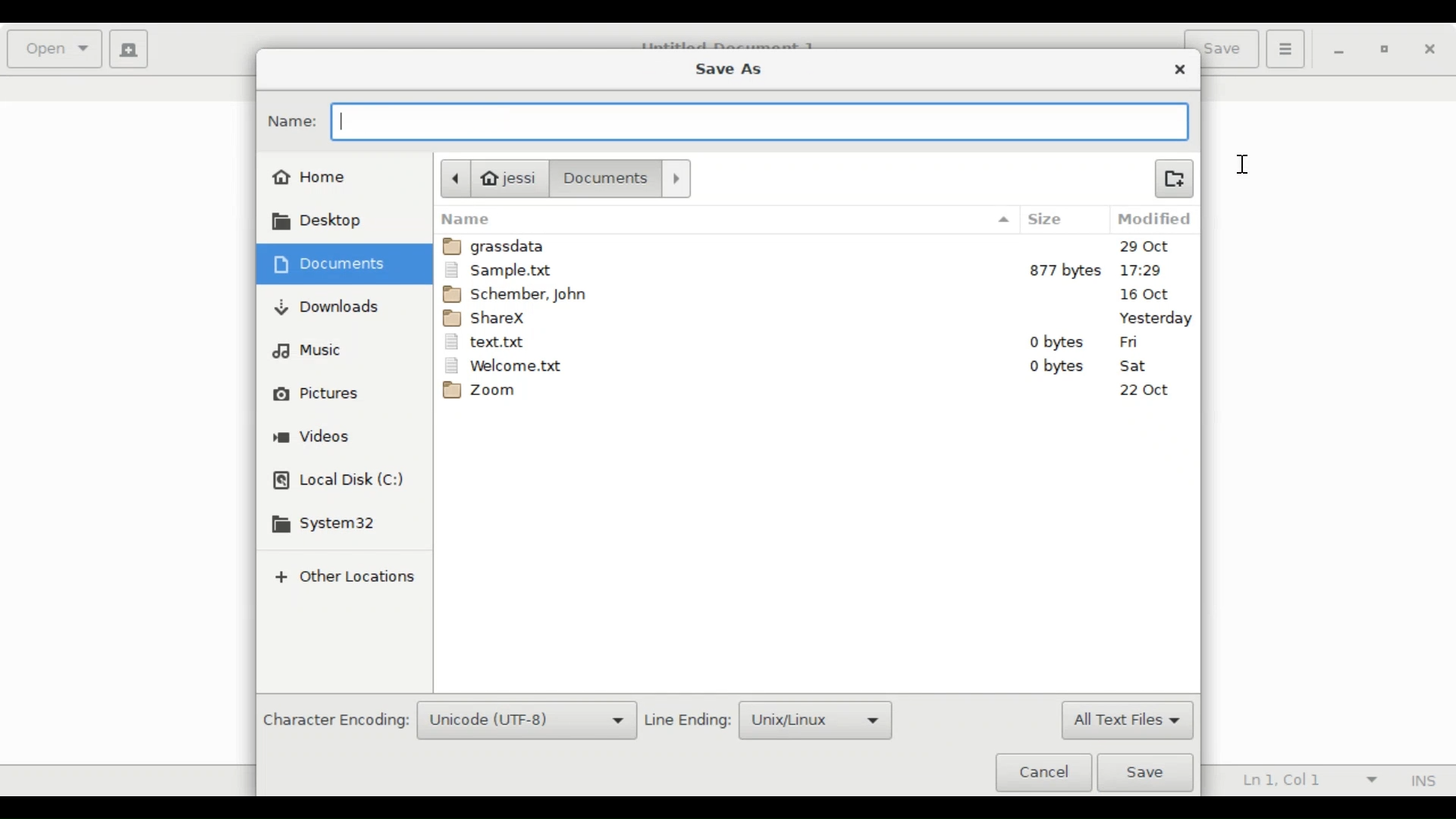 The image size is (1456, 819). What do you see at coordinates (1126, 721) in the screenshot?
I see `All Text Files` at bounding box center [1126, 721].